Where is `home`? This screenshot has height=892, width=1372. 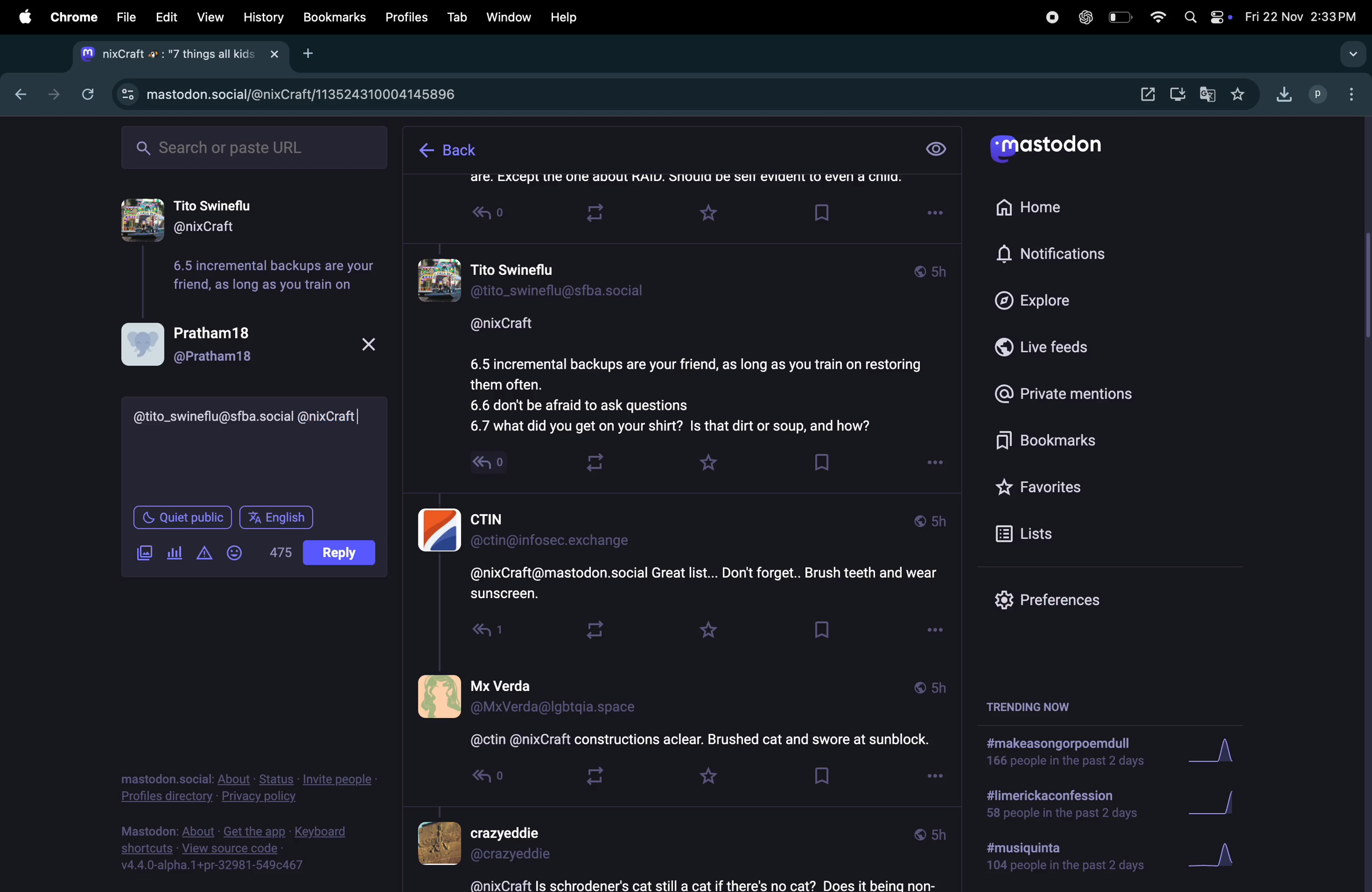
home is located at coordinates (1037, 207).